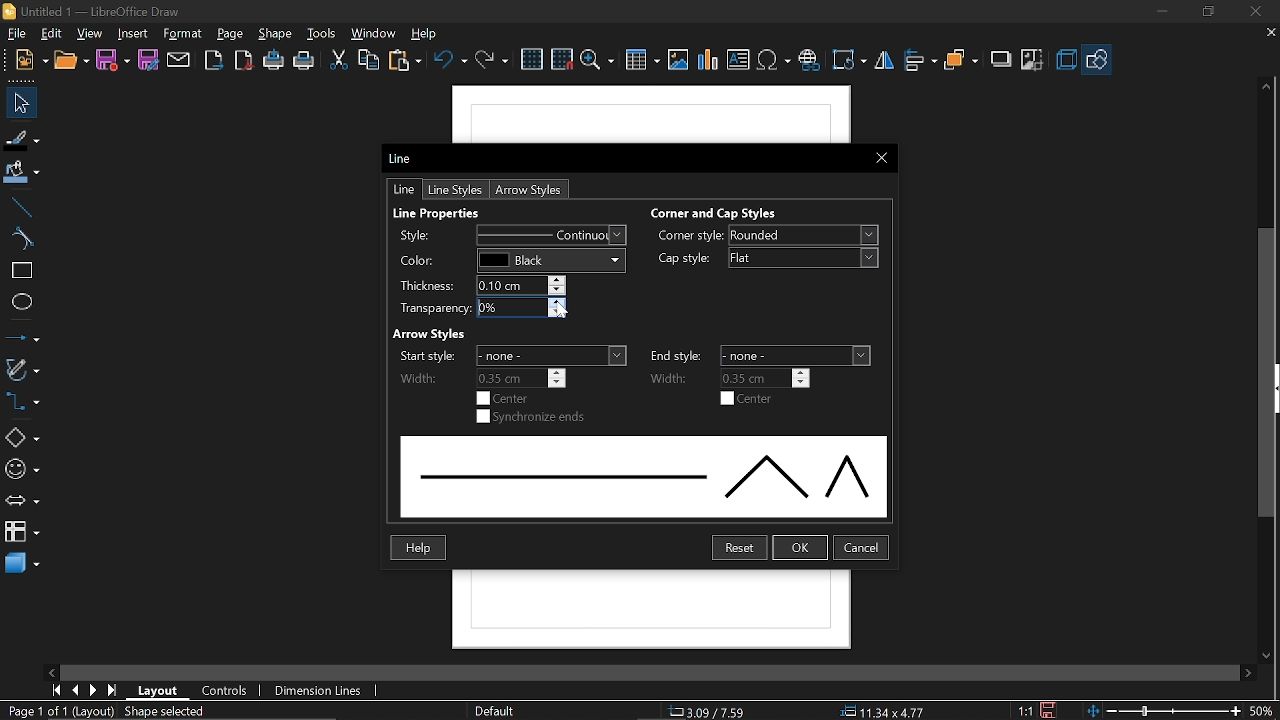 Image resolution: width=1280 pixels, height=720 pixels. Describe the element at coordinates (339, 62) in the screenshot. I see `cut` at that location.